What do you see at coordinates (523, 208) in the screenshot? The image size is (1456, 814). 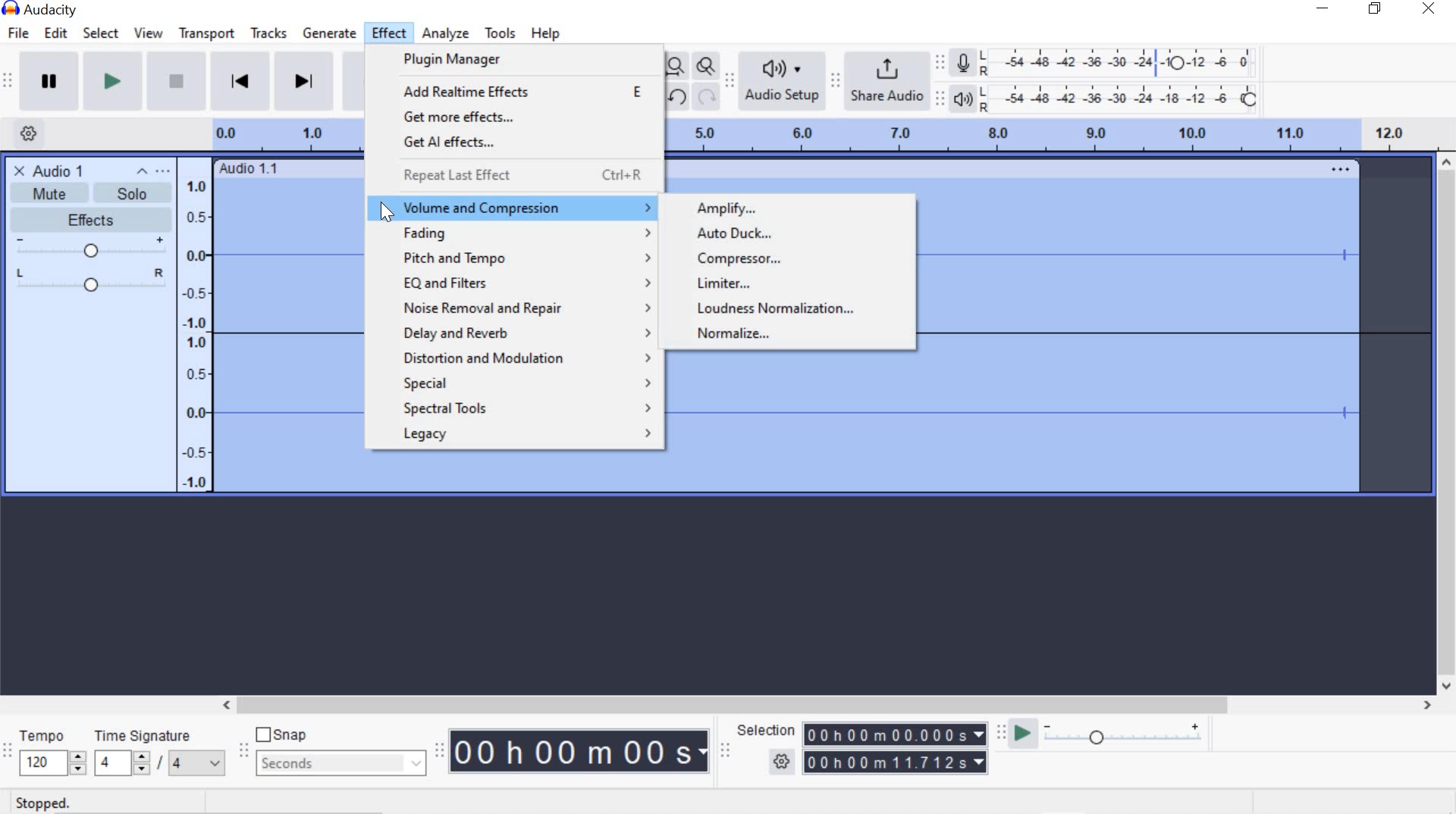 I see `volume and compression` at bounding box center [523, 208].